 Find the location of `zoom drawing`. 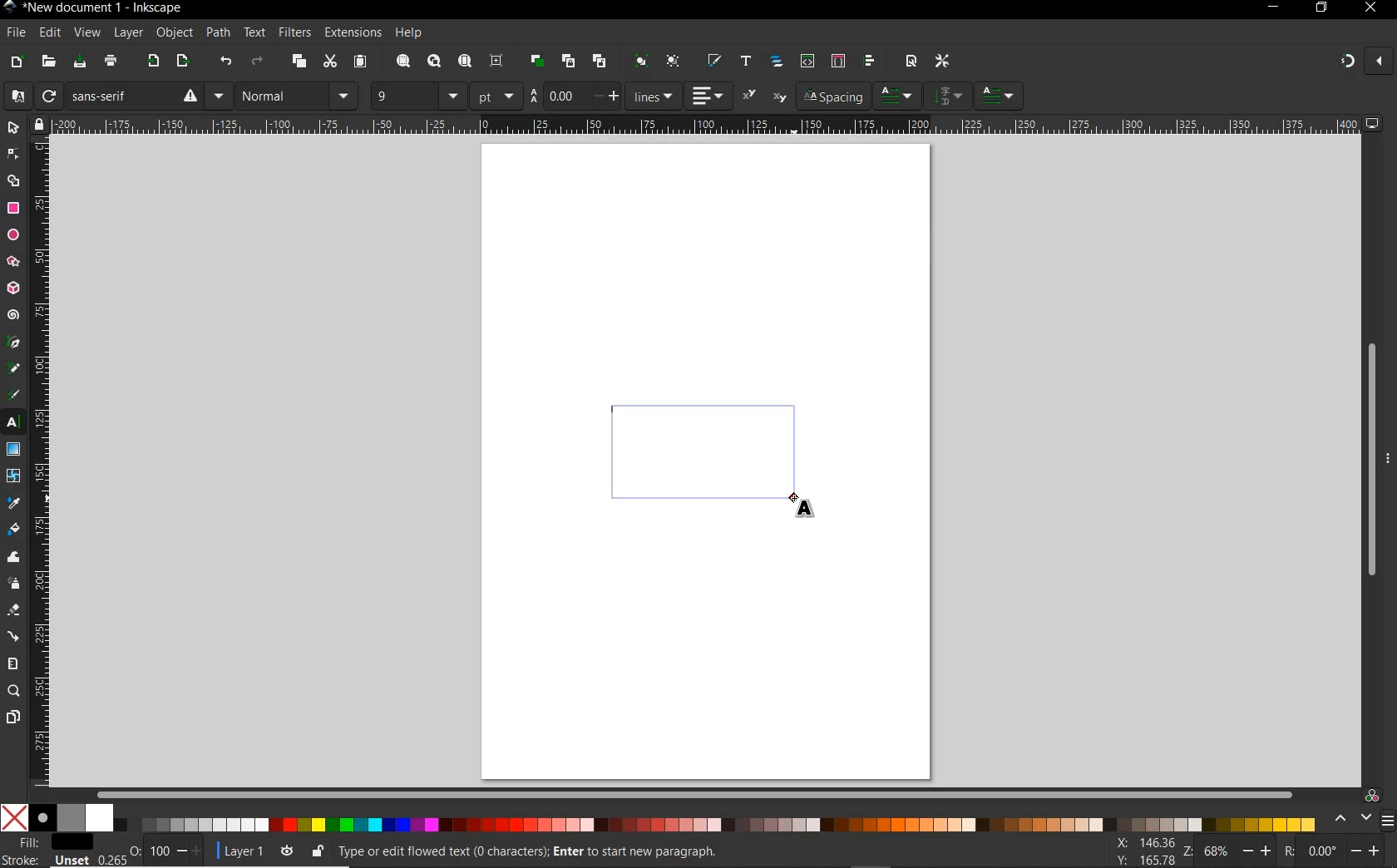

zoom drawing is located at coordinates (435, 62).